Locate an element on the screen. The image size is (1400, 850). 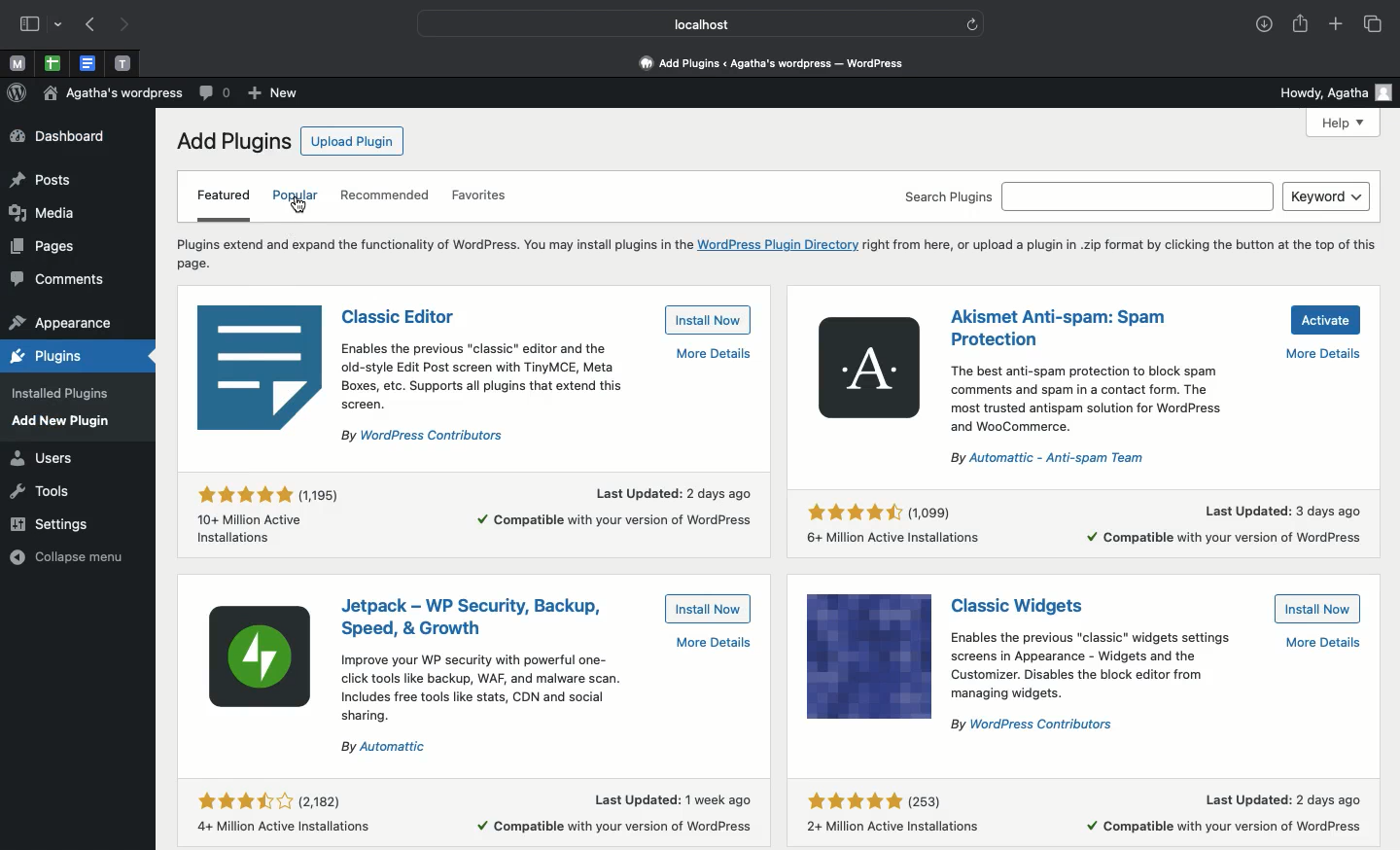
drop-down is located at coordinates (59, 25).